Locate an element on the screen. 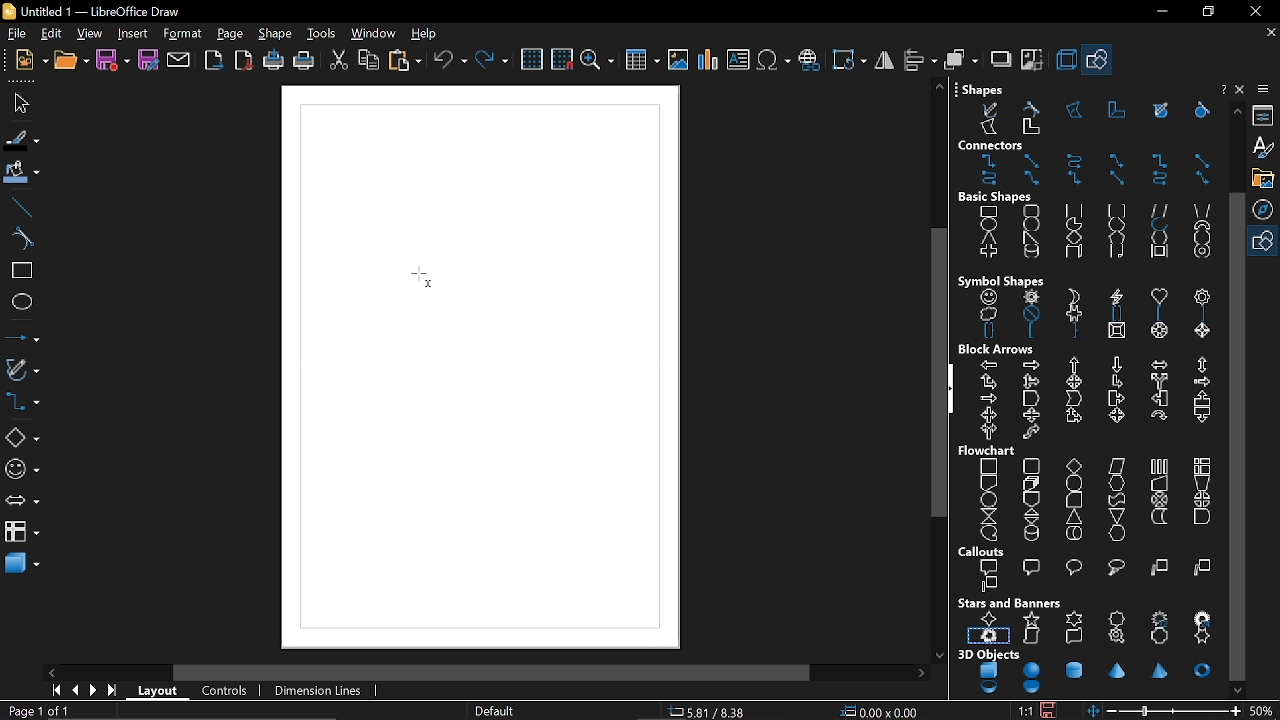  fill color is located at coordinates (20, 174).